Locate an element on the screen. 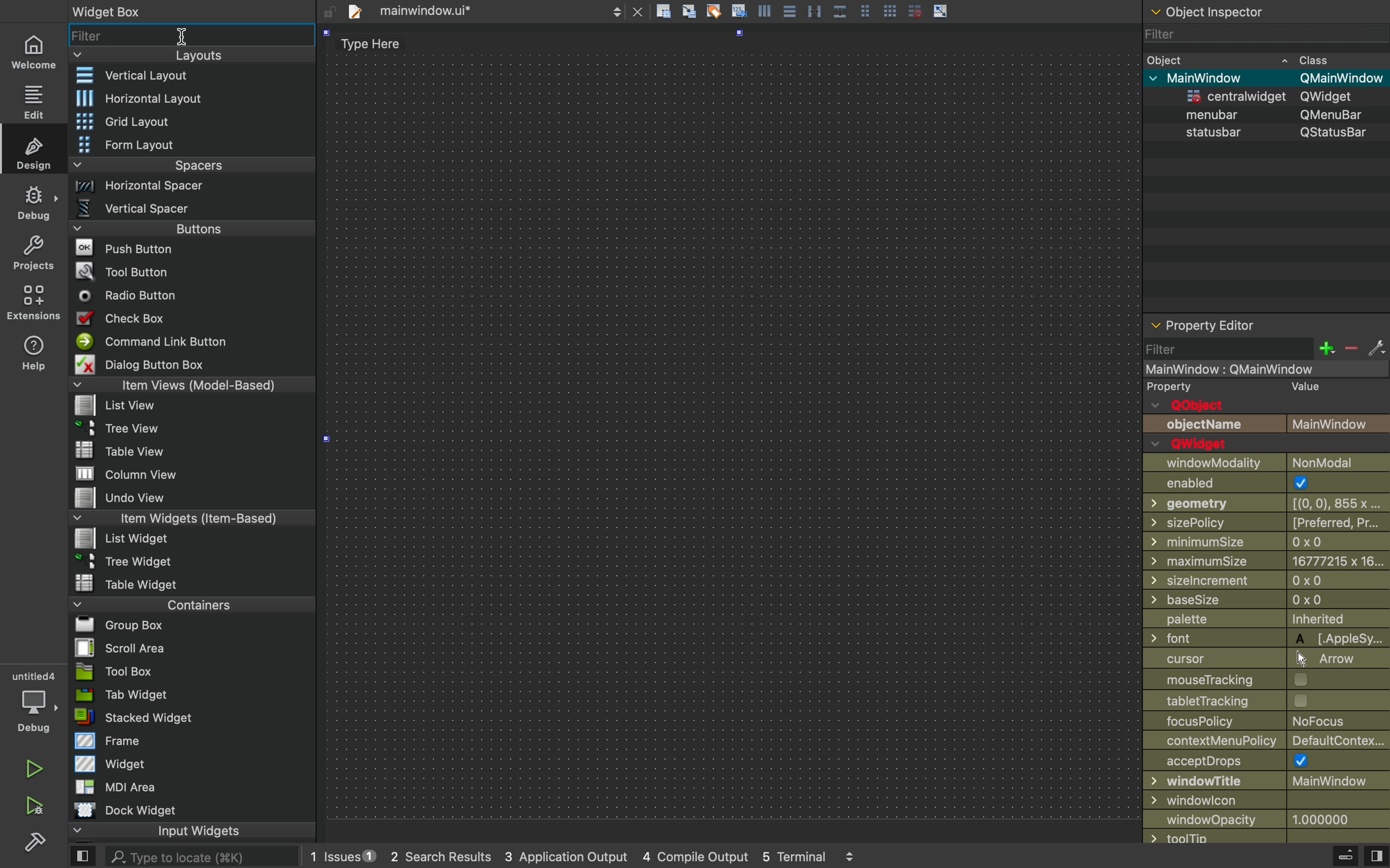  design area is located at coordinates (727, 436).